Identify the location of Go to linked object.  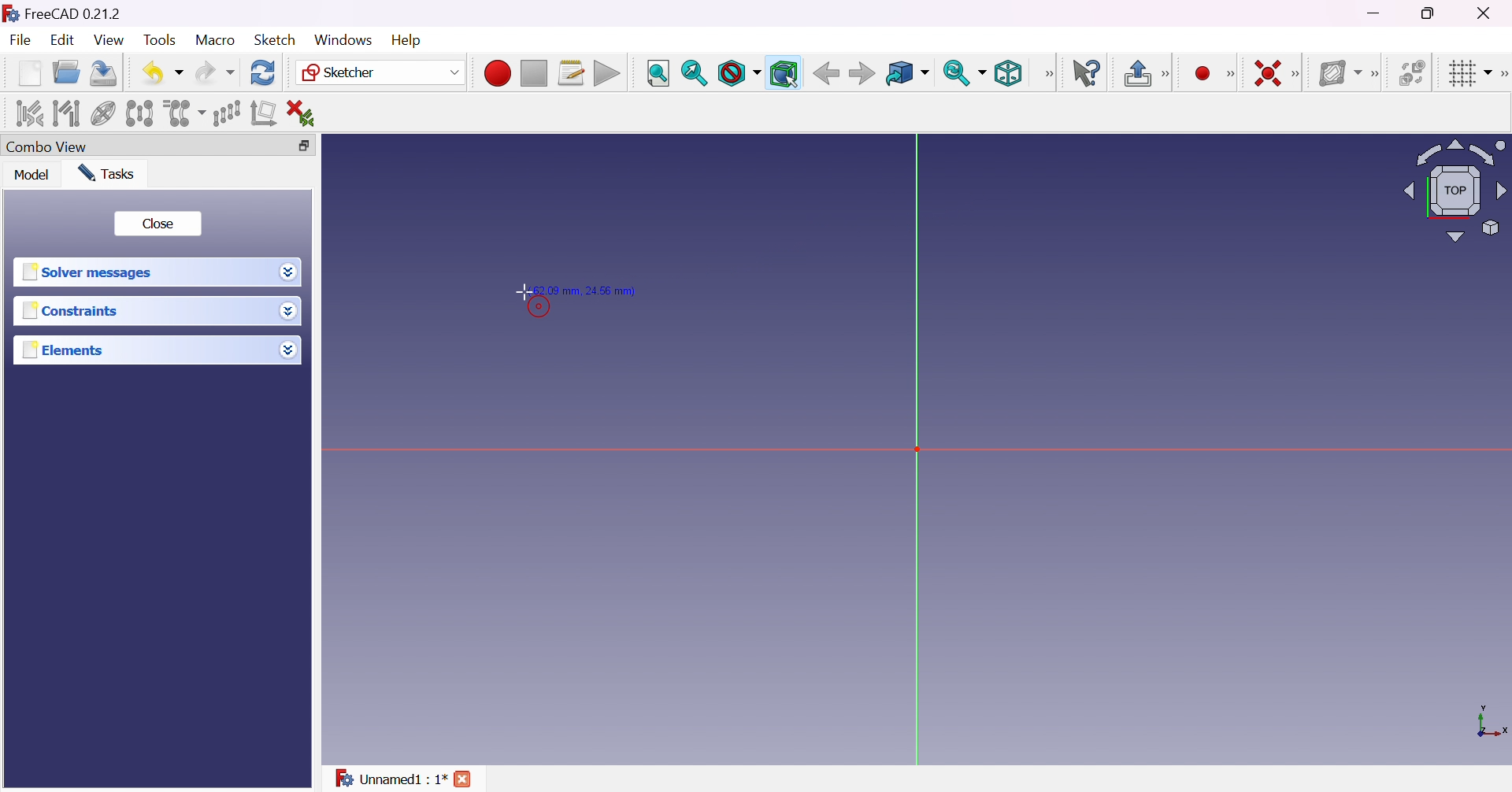
(906, 74).